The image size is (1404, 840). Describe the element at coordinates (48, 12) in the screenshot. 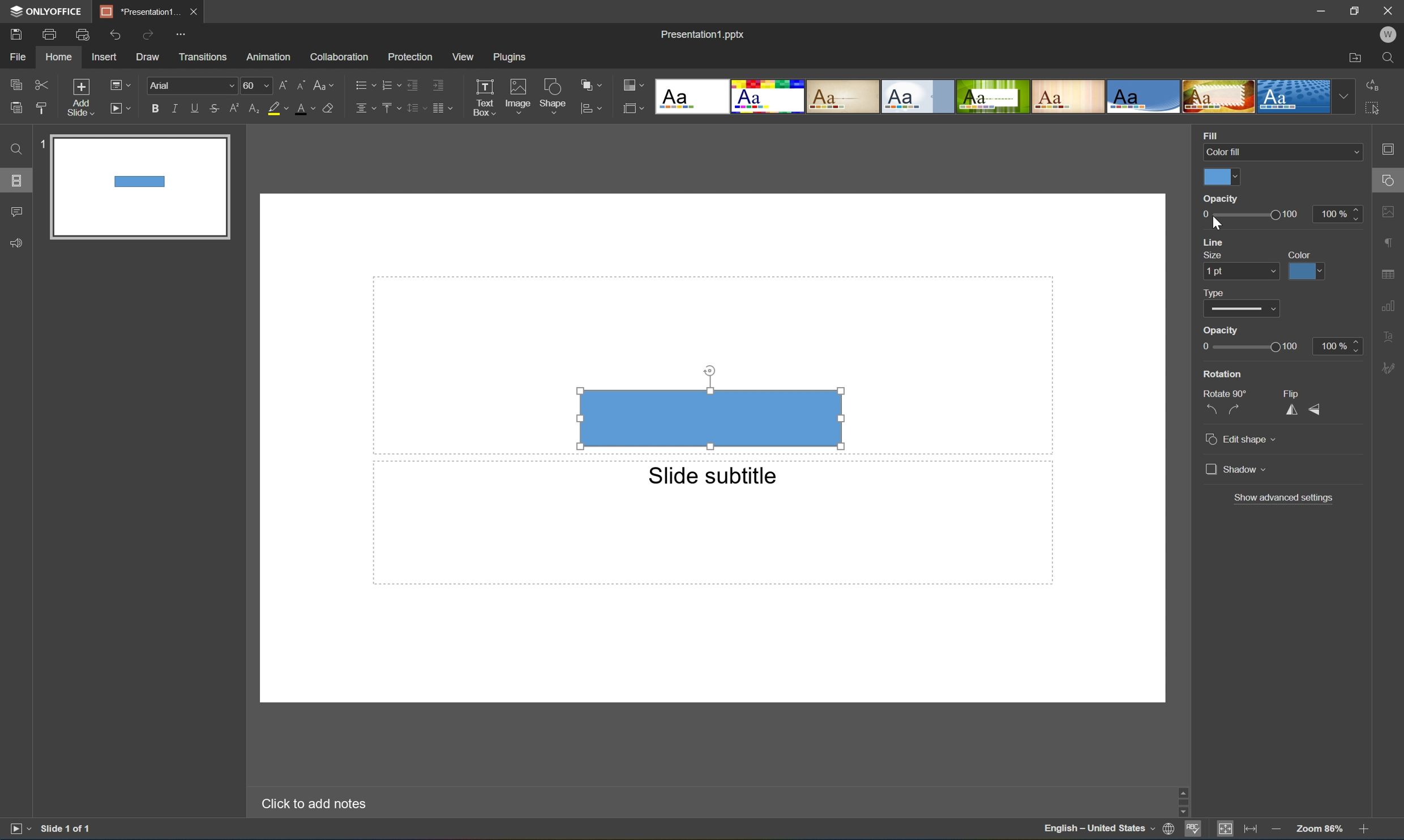

I see `ONLYOFFICE` at that location.